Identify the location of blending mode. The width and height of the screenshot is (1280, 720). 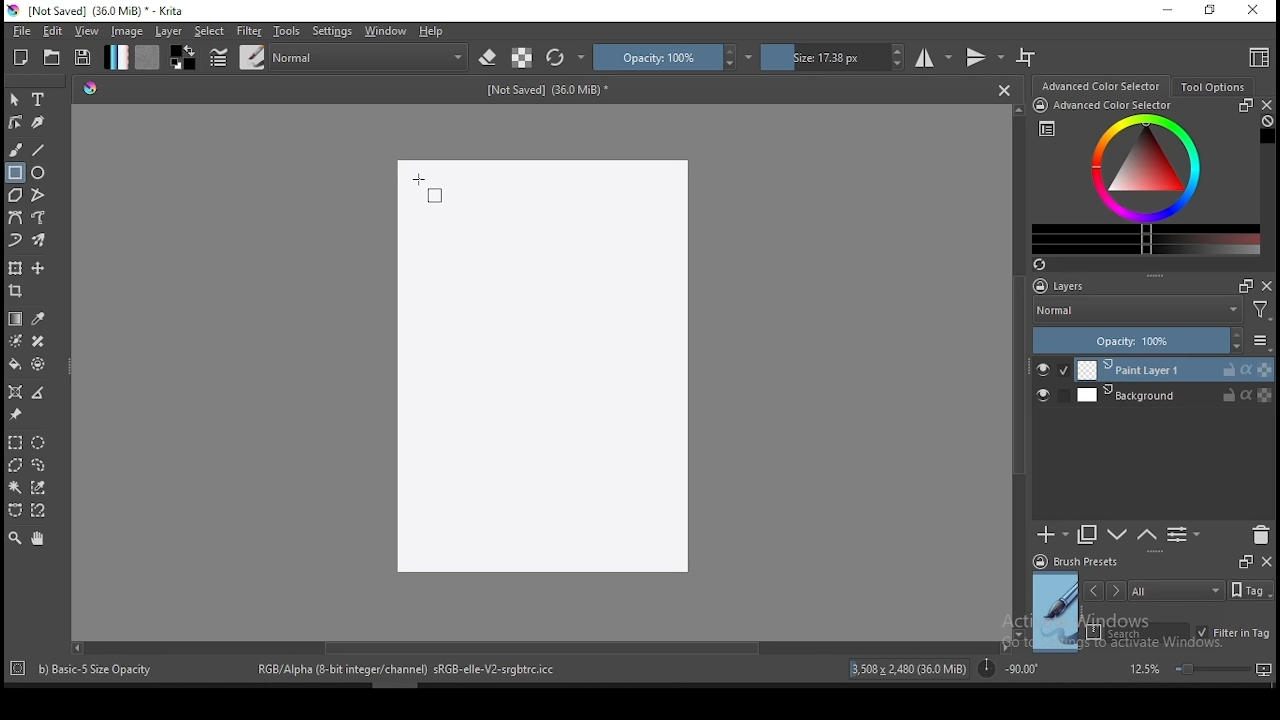
(1136, 312).